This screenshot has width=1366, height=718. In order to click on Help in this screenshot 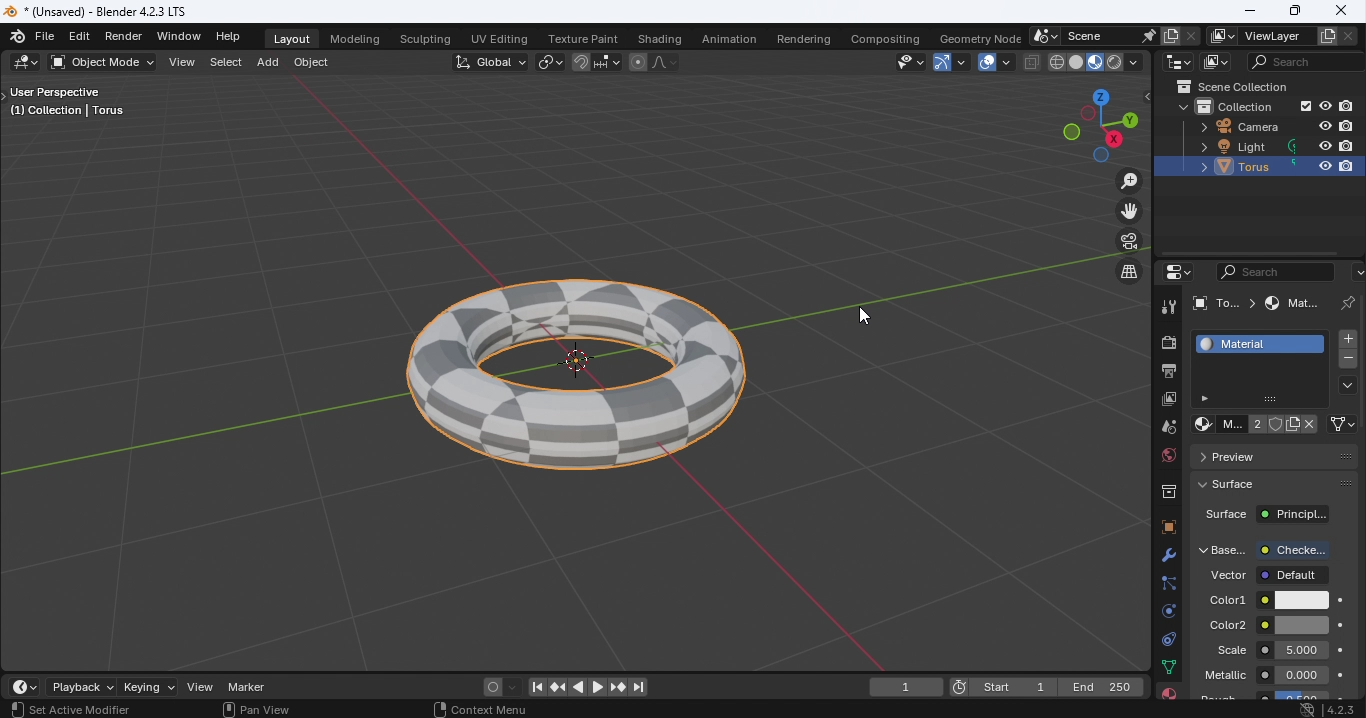, I will do `click(233, 37)`.